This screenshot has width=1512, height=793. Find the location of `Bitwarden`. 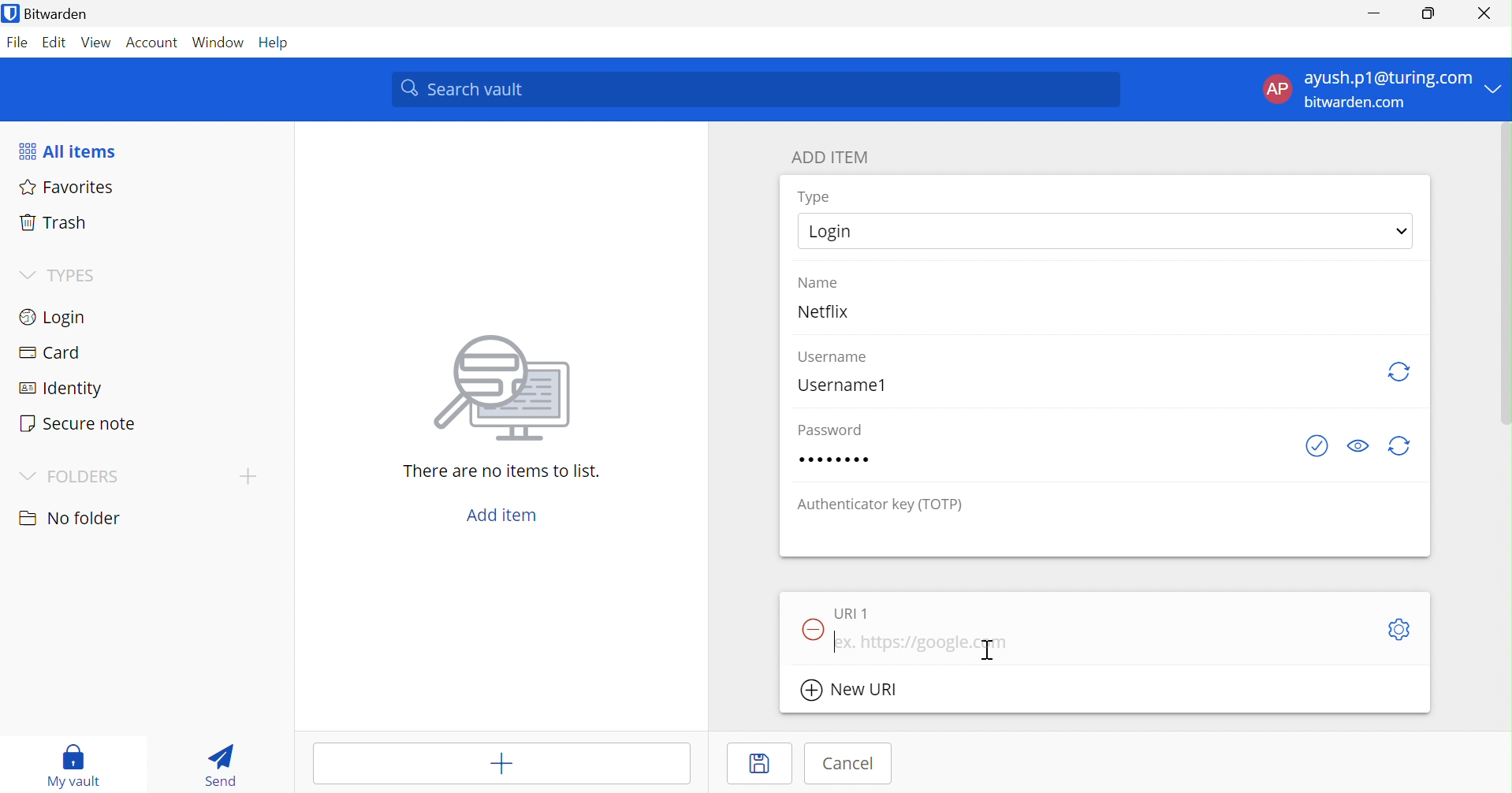

Bitwarden is located at coordinates (46, 13).